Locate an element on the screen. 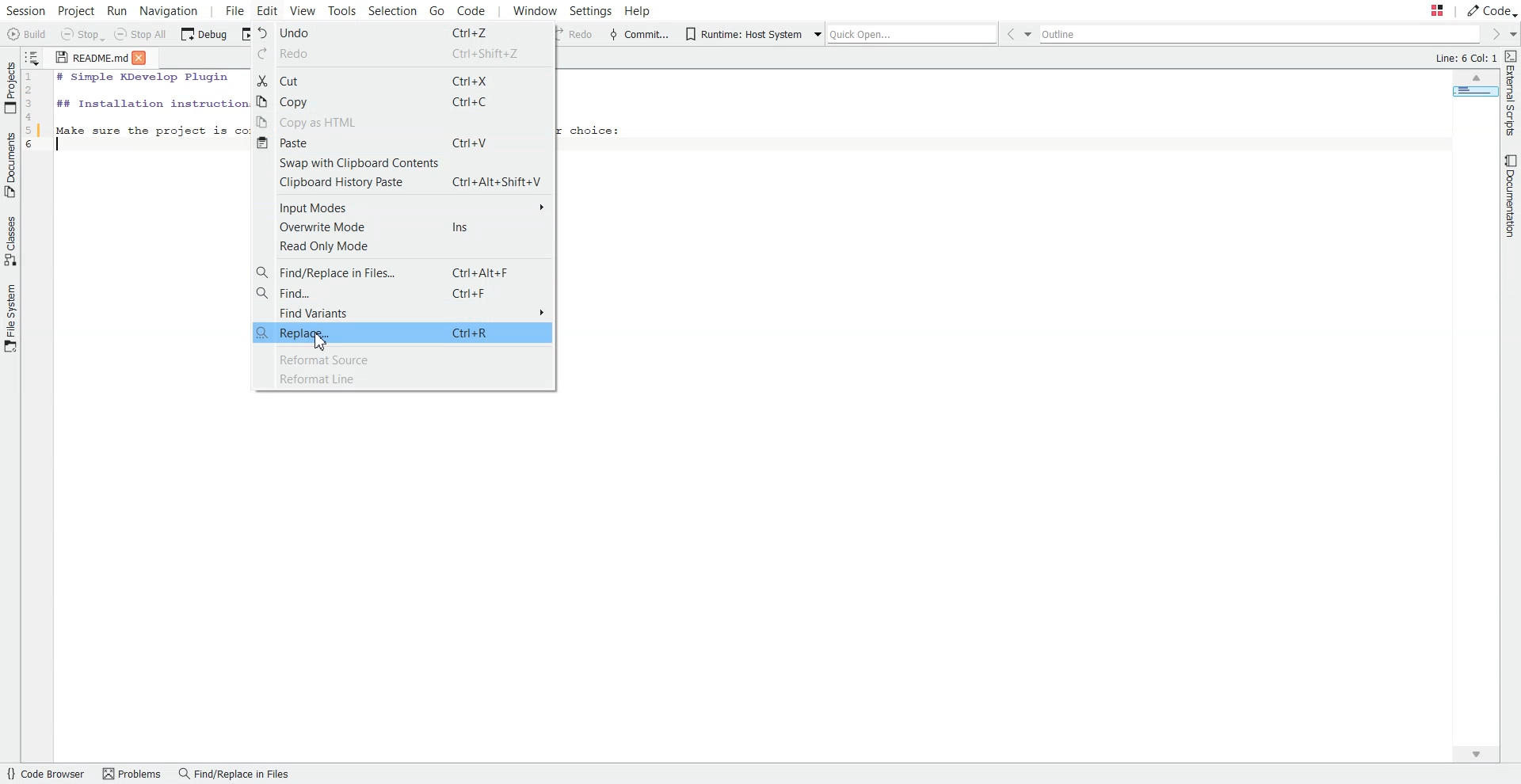 The height and width of the screenshot is (784, 1521). # Simple KDevelop Plugin is located at coordinates (144, 78).